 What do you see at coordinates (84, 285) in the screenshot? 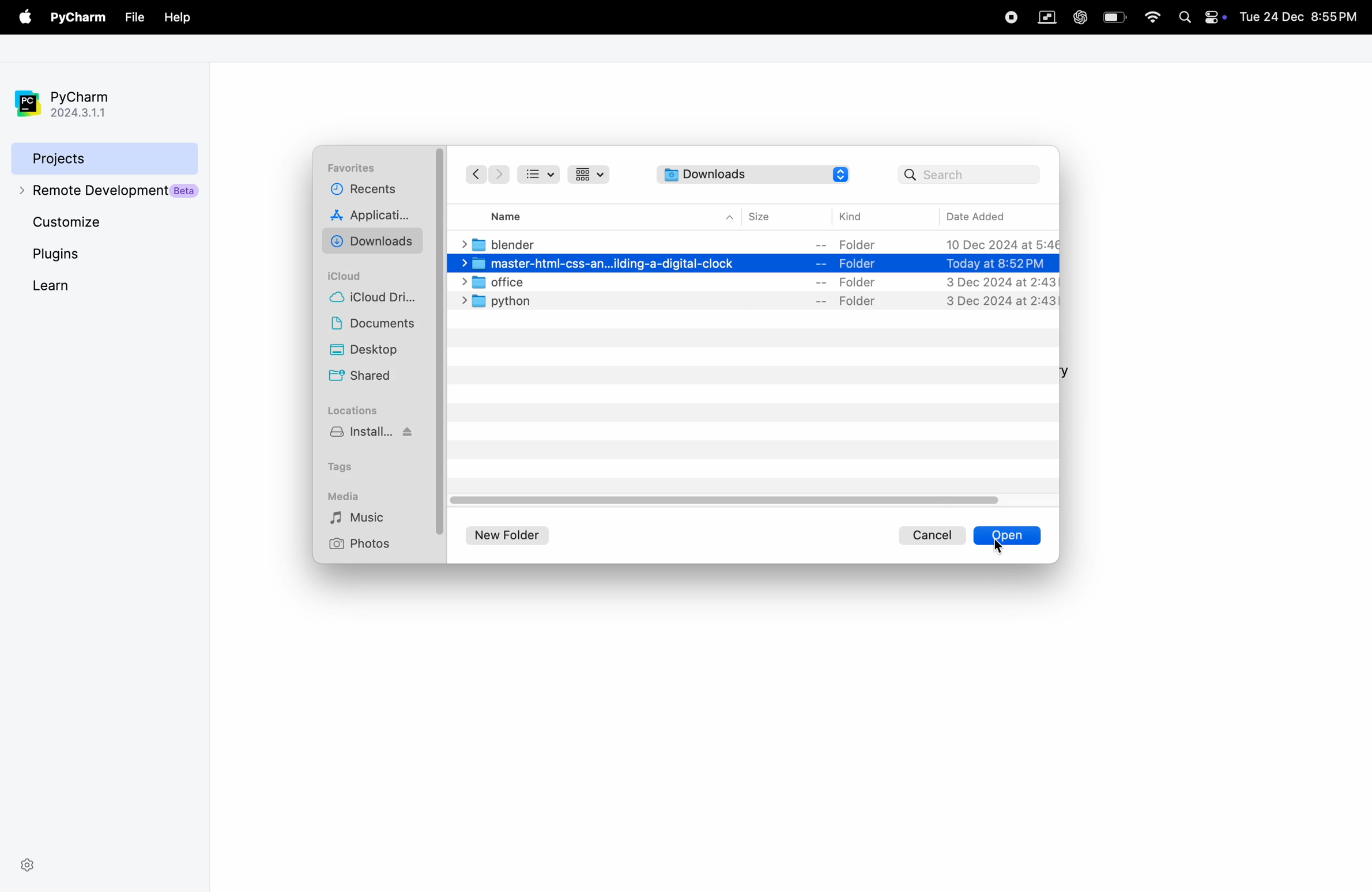
I see `learn ` at bounding box center [84, 285].